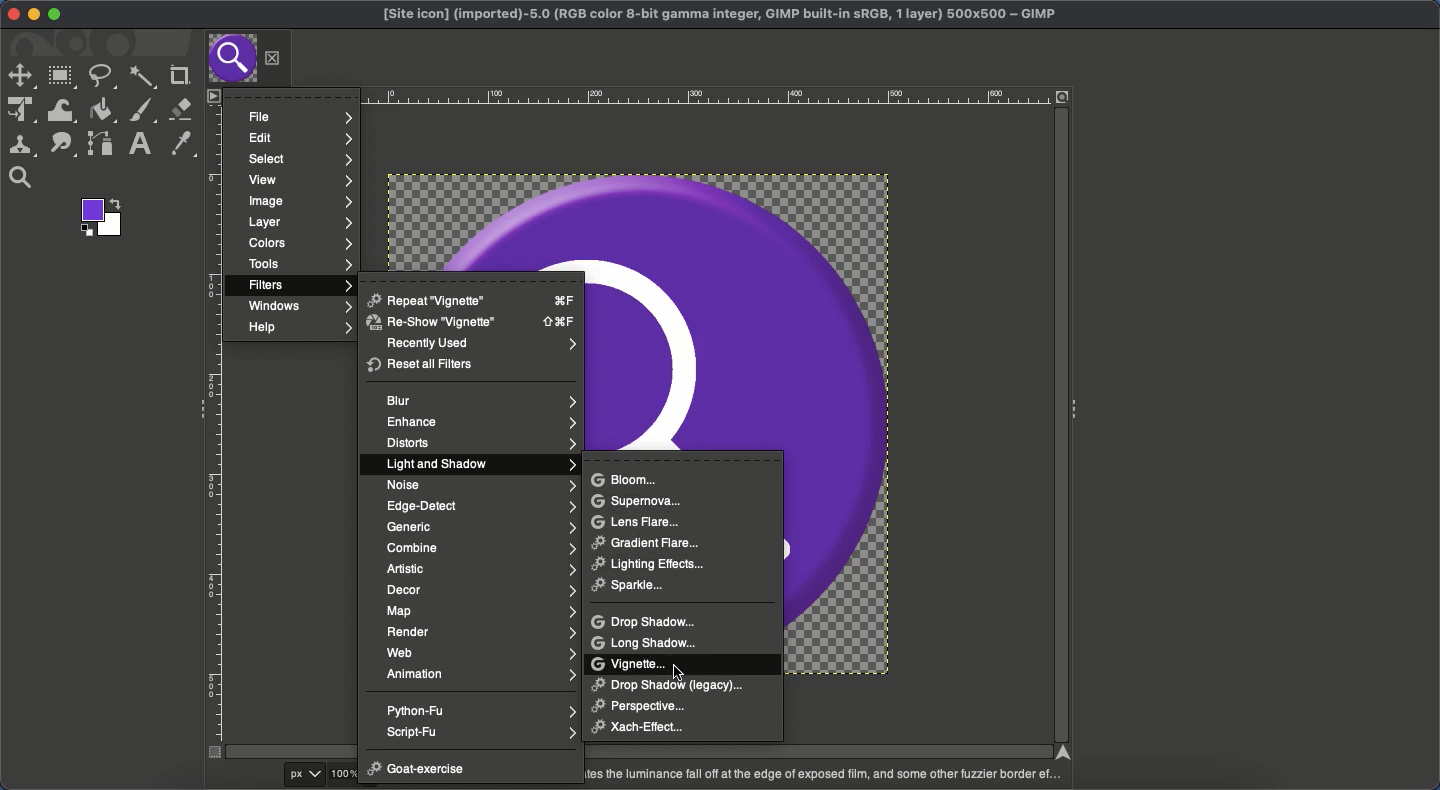 This screenshot has width=1440, height=790. I want to click on Close, so click(273, 58).